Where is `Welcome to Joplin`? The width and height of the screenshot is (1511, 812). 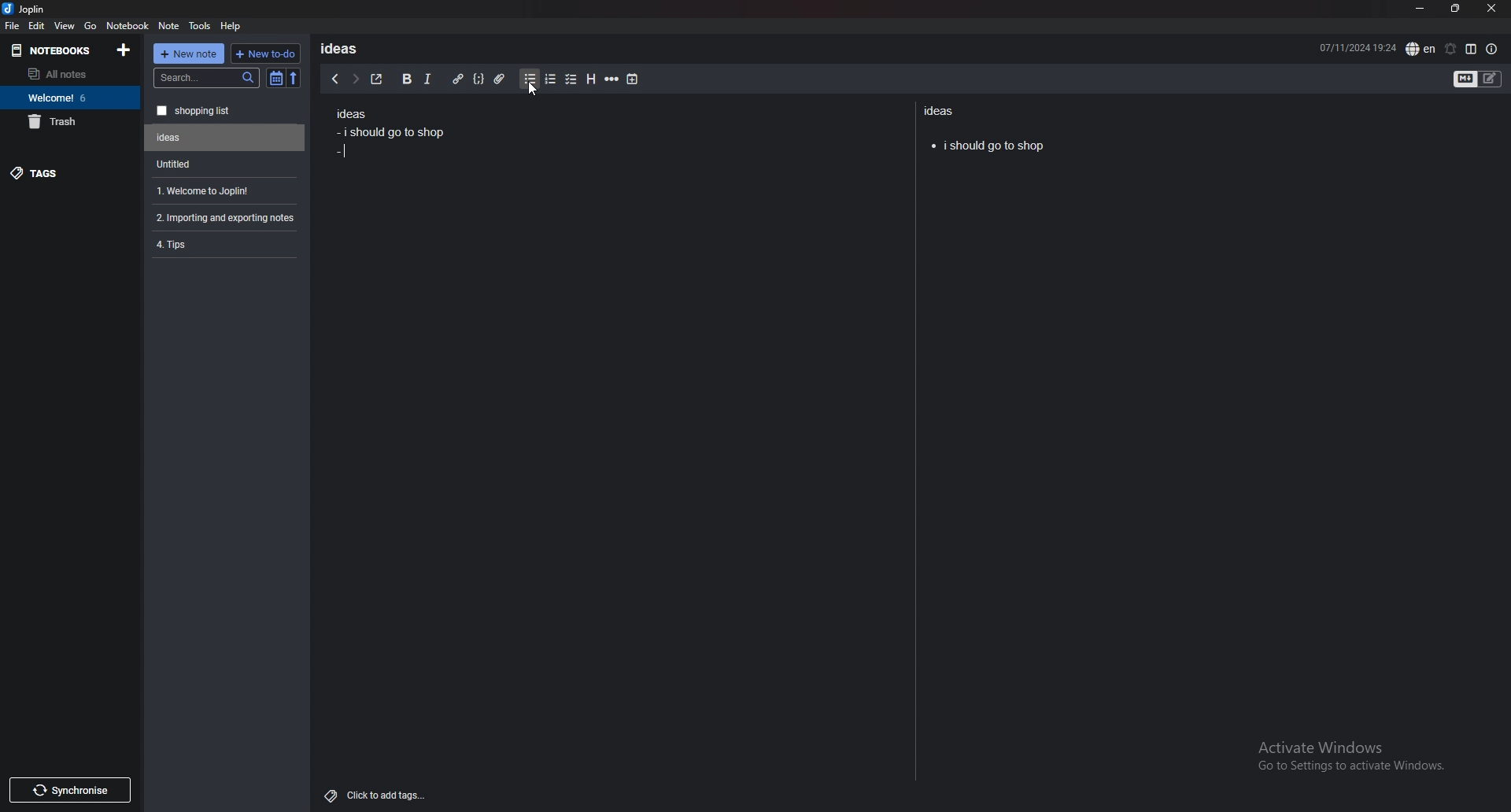 Welcome to Joplin is located at coordinates (222, 190).